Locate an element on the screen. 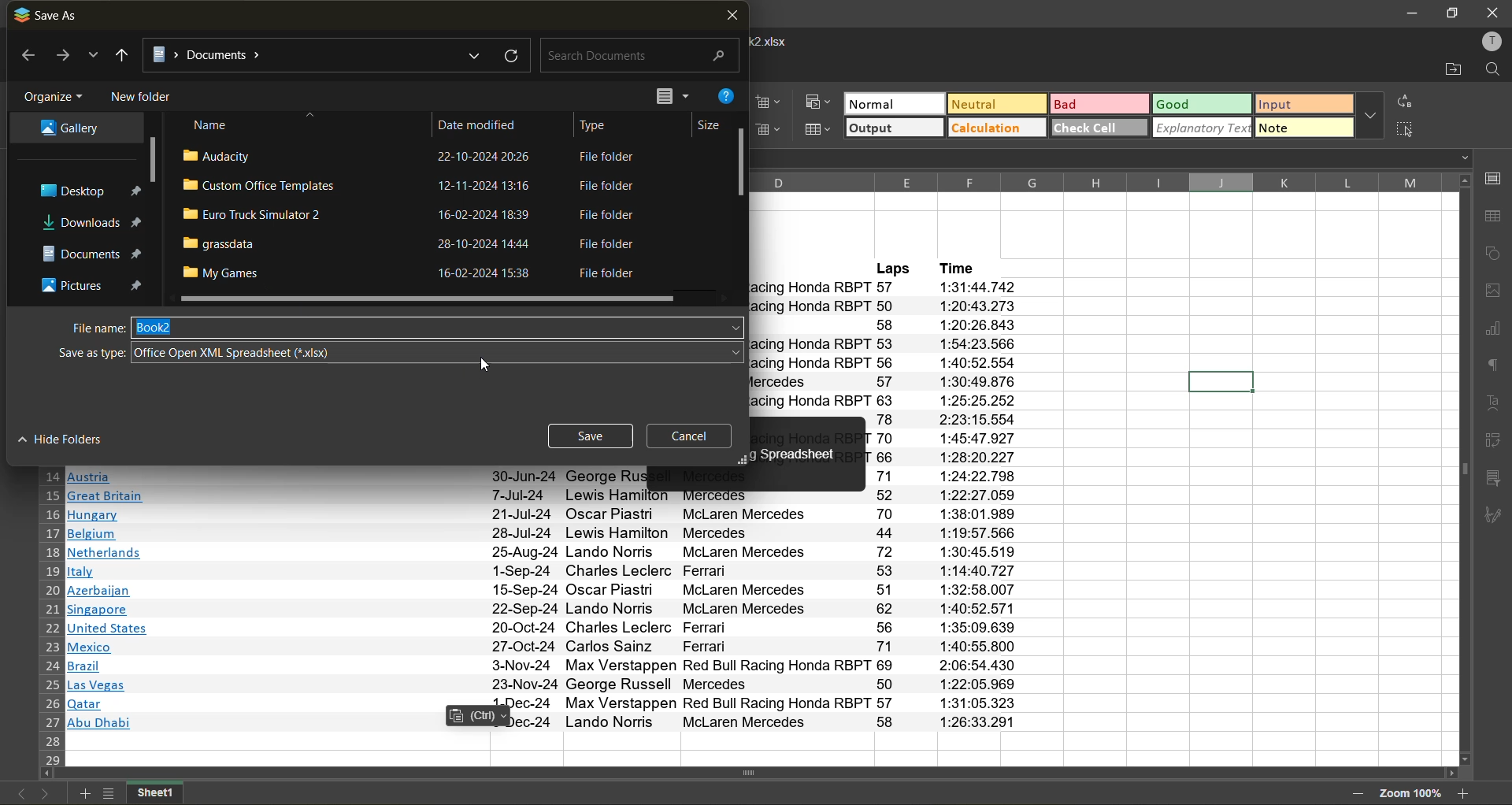  go to the history is located at coordinates (122, 55).